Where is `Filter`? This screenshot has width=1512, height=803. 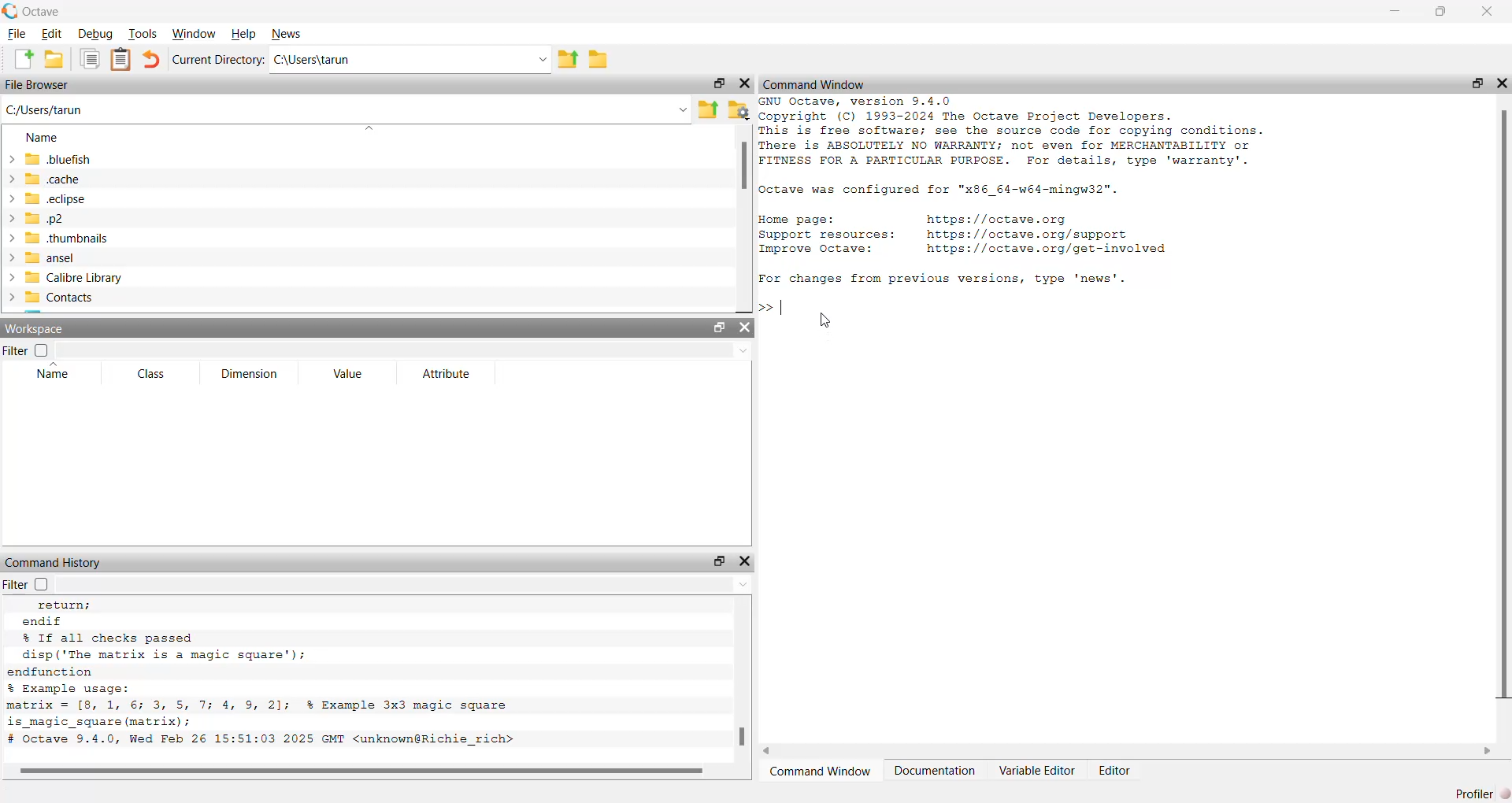 Filter is located at coordinates (32, 583).